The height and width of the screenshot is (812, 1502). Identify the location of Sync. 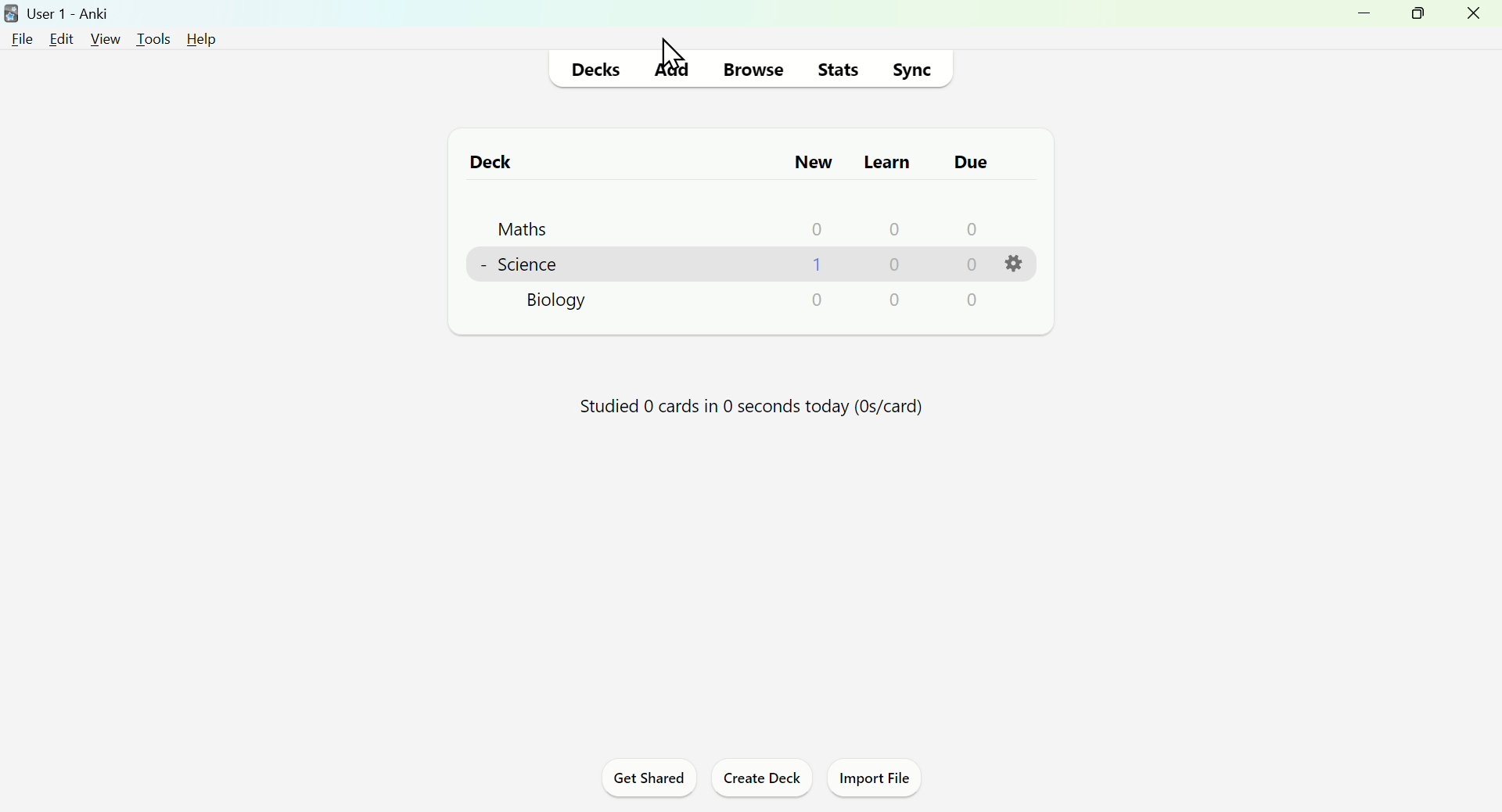
(911, 70).